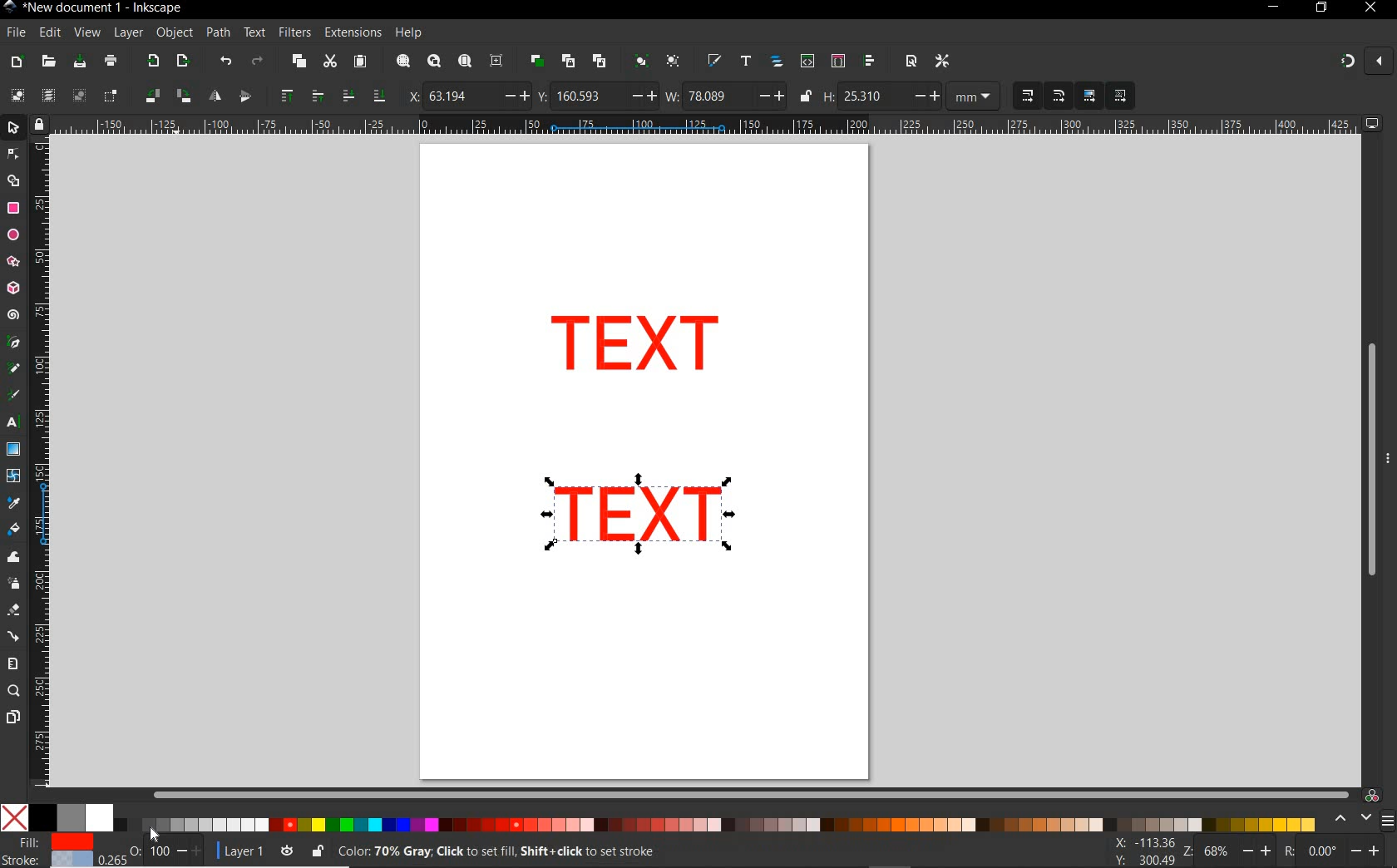  Describe the element at coordinates (725, 96) in the screenshot. I see `width of selection` at that location.